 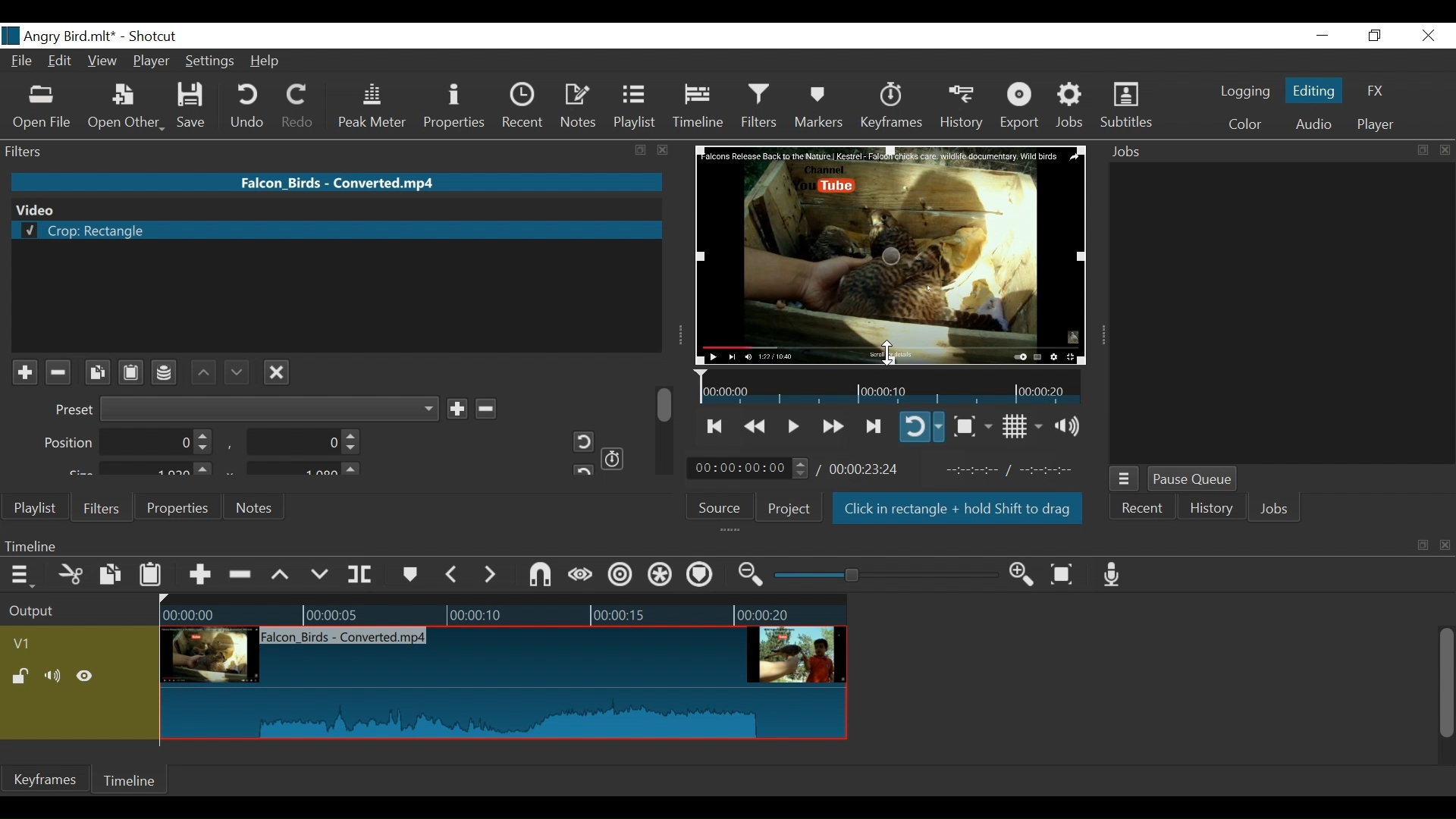 I want to click on Ripple all tracks, so click(x=661, y=576).